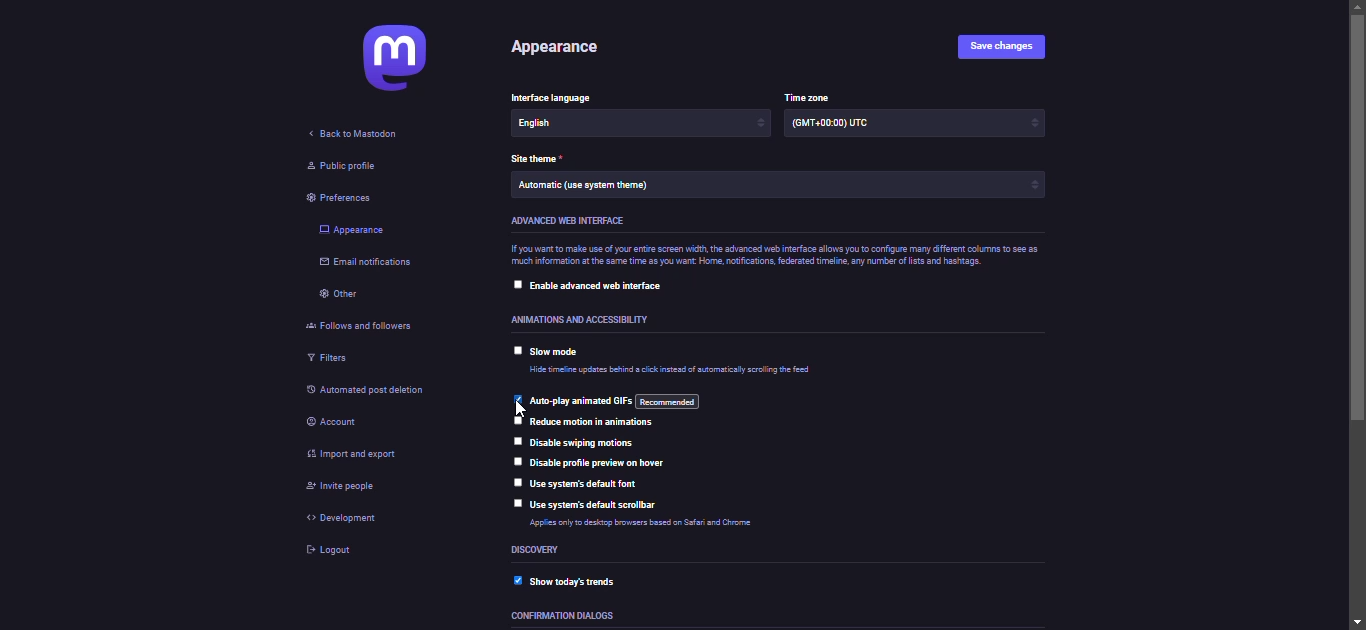  Describe the element at coordinates (399, 58) in the screenshot. I see `mastodon` at that location.